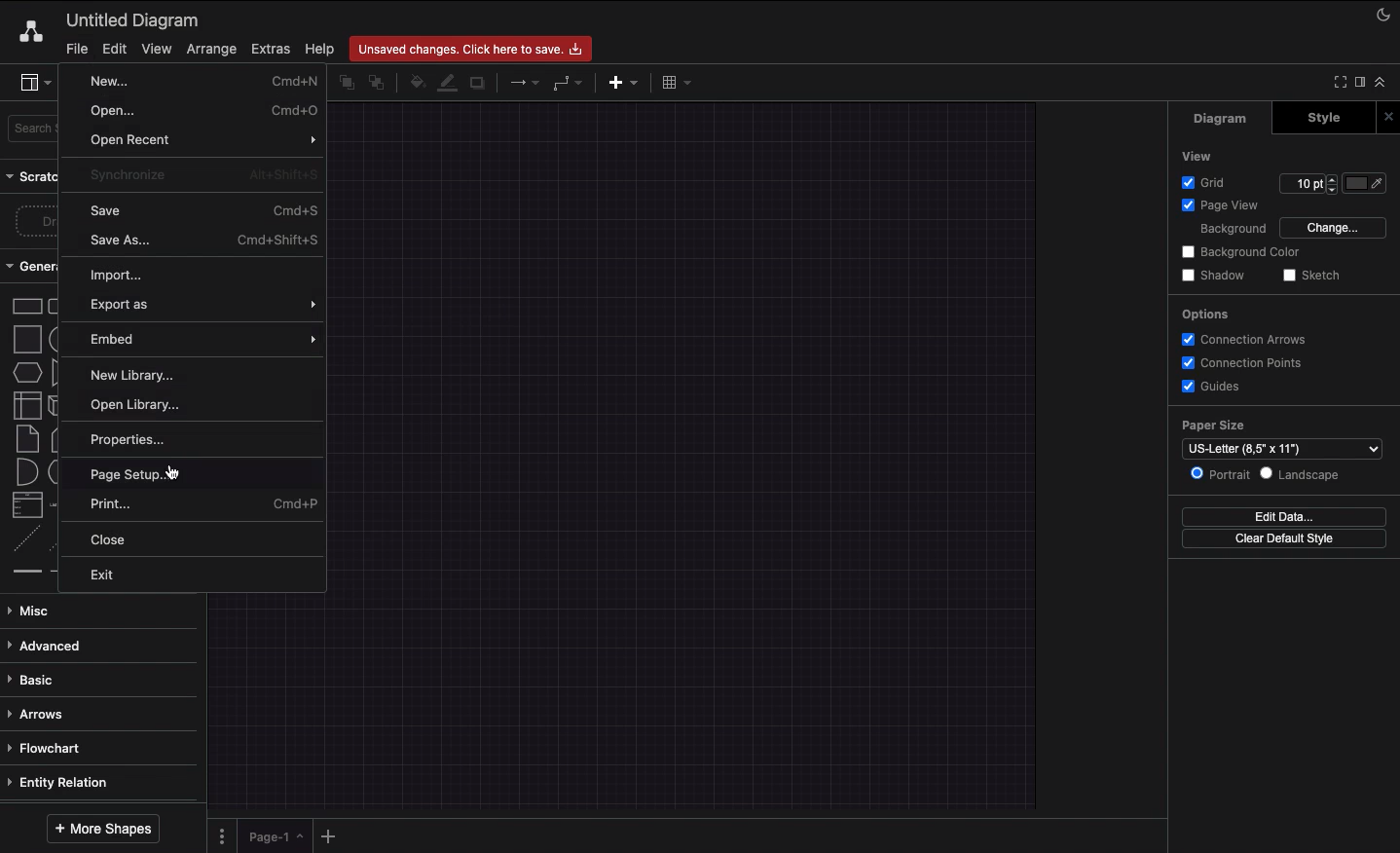 The width and height of the screenshot is (1400, 853). Describe the element at coordinates (75, 49) in the screenshot. I see `File` at that location.